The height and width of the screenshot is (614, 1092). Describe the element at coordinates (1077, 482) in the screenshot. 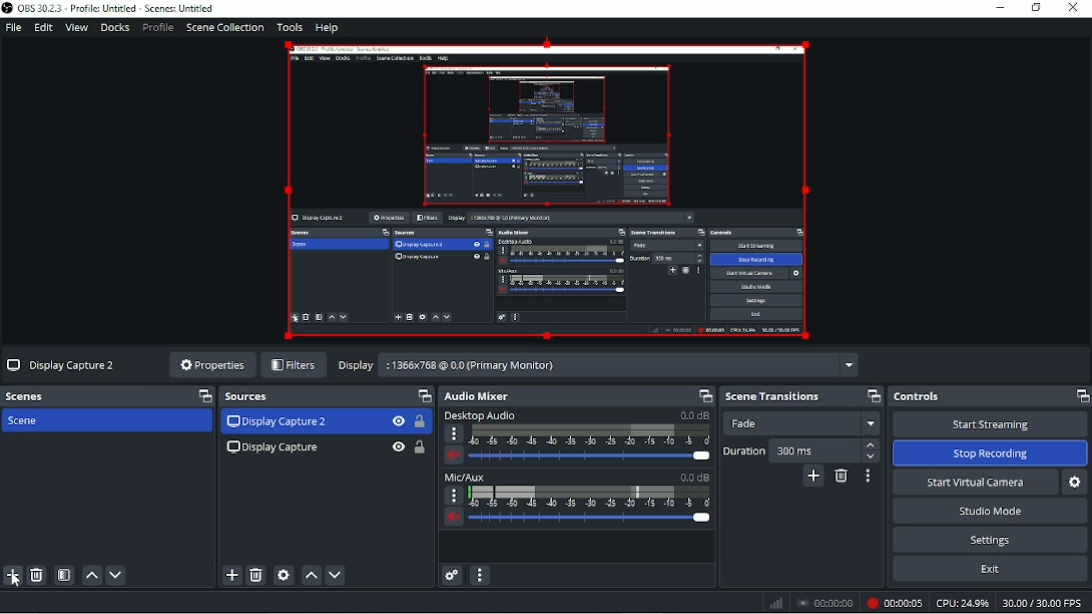

I see `Configure virtual camera` at that location.